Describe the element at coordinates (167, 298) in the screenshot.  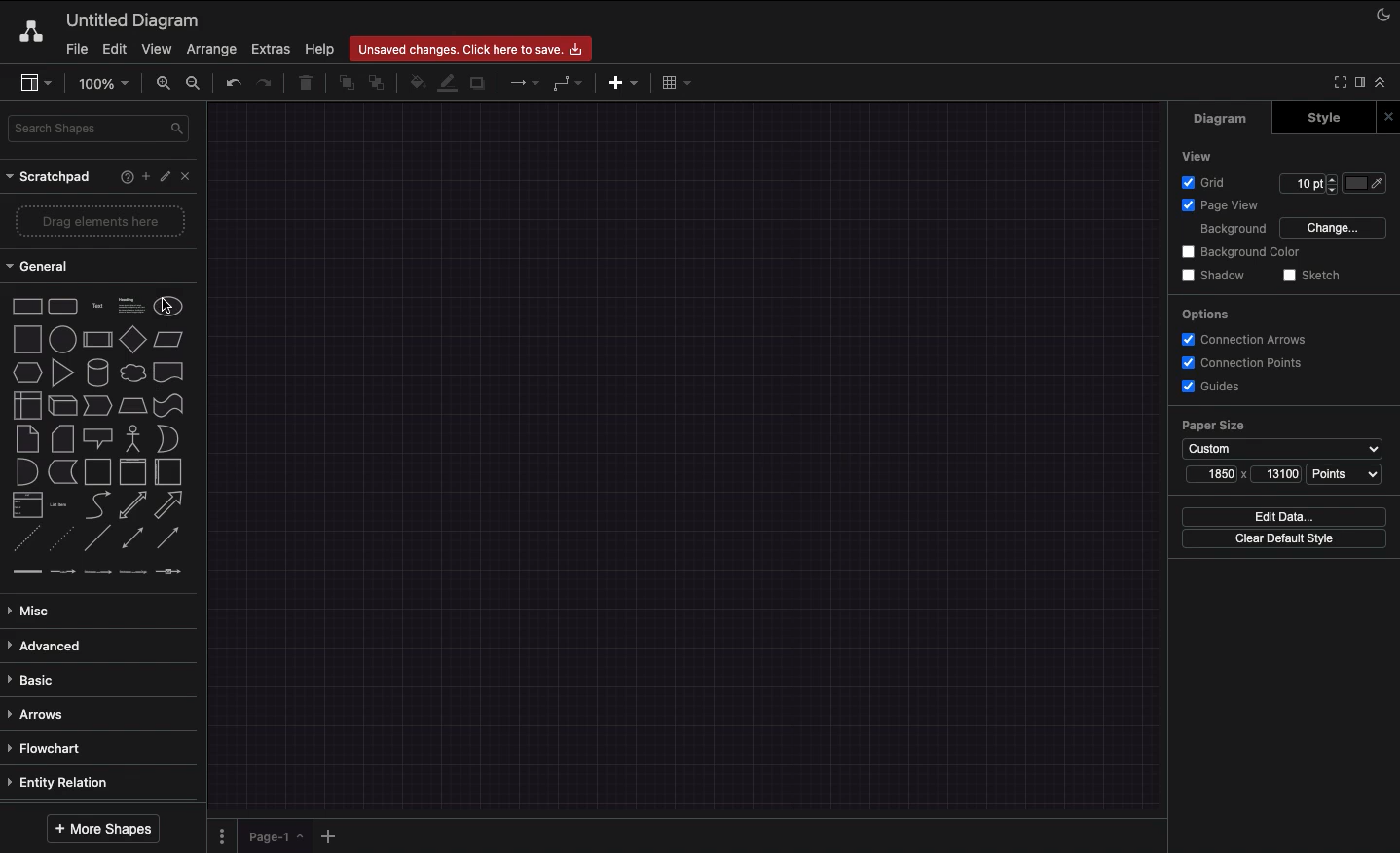
I see `cursor` at that location.